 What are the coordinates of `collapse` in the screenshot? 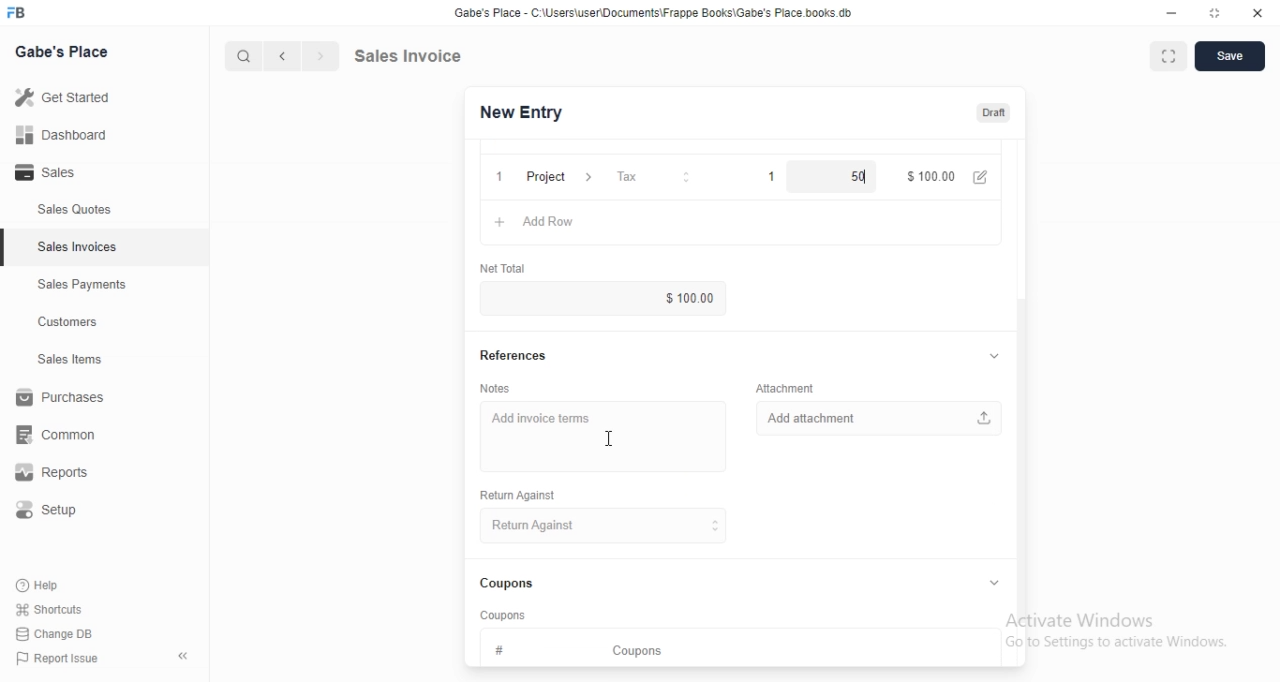 It's located at (185, 656).